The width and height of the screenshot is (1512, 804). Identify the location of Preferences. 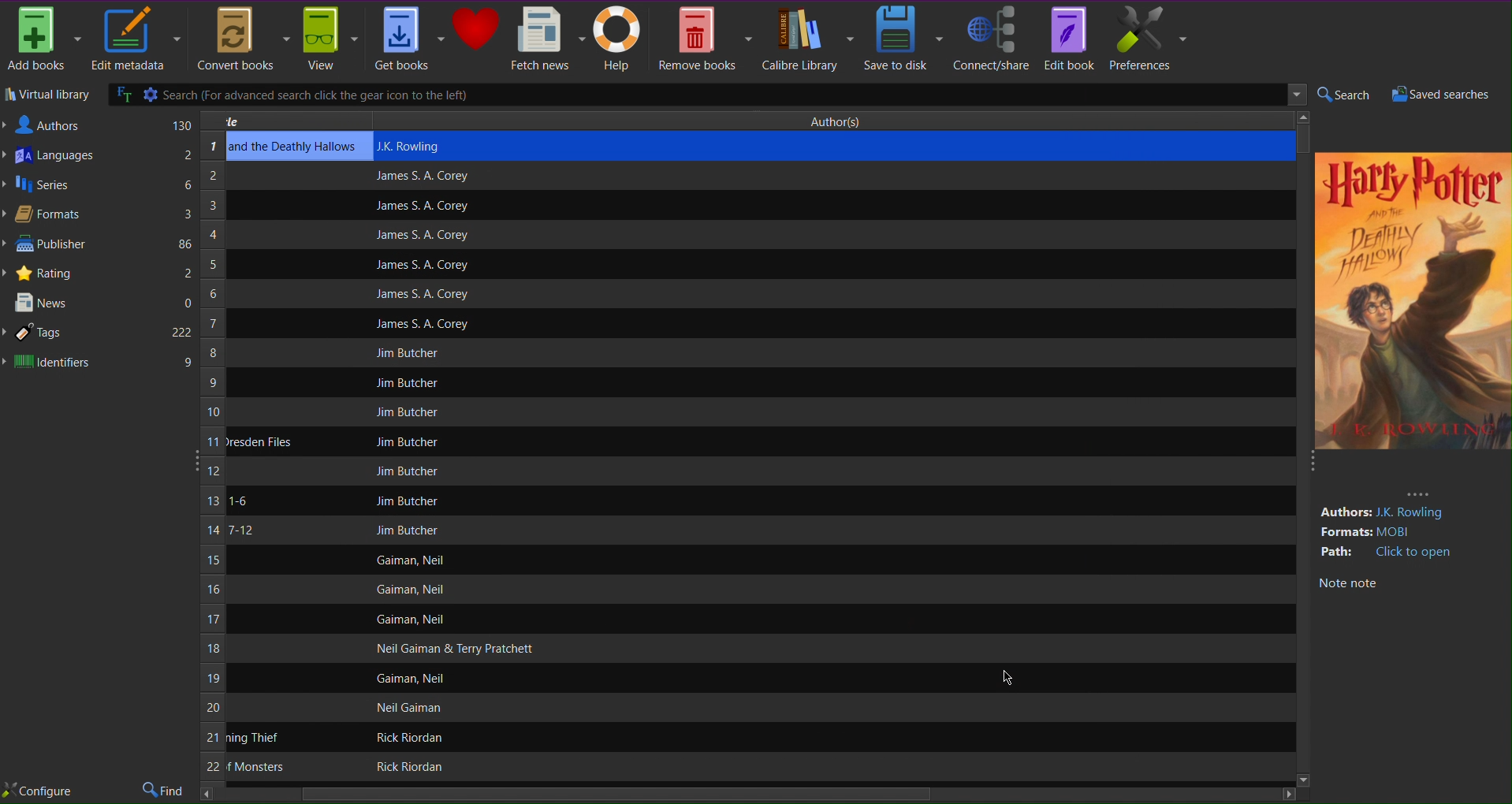
(1149, 38).